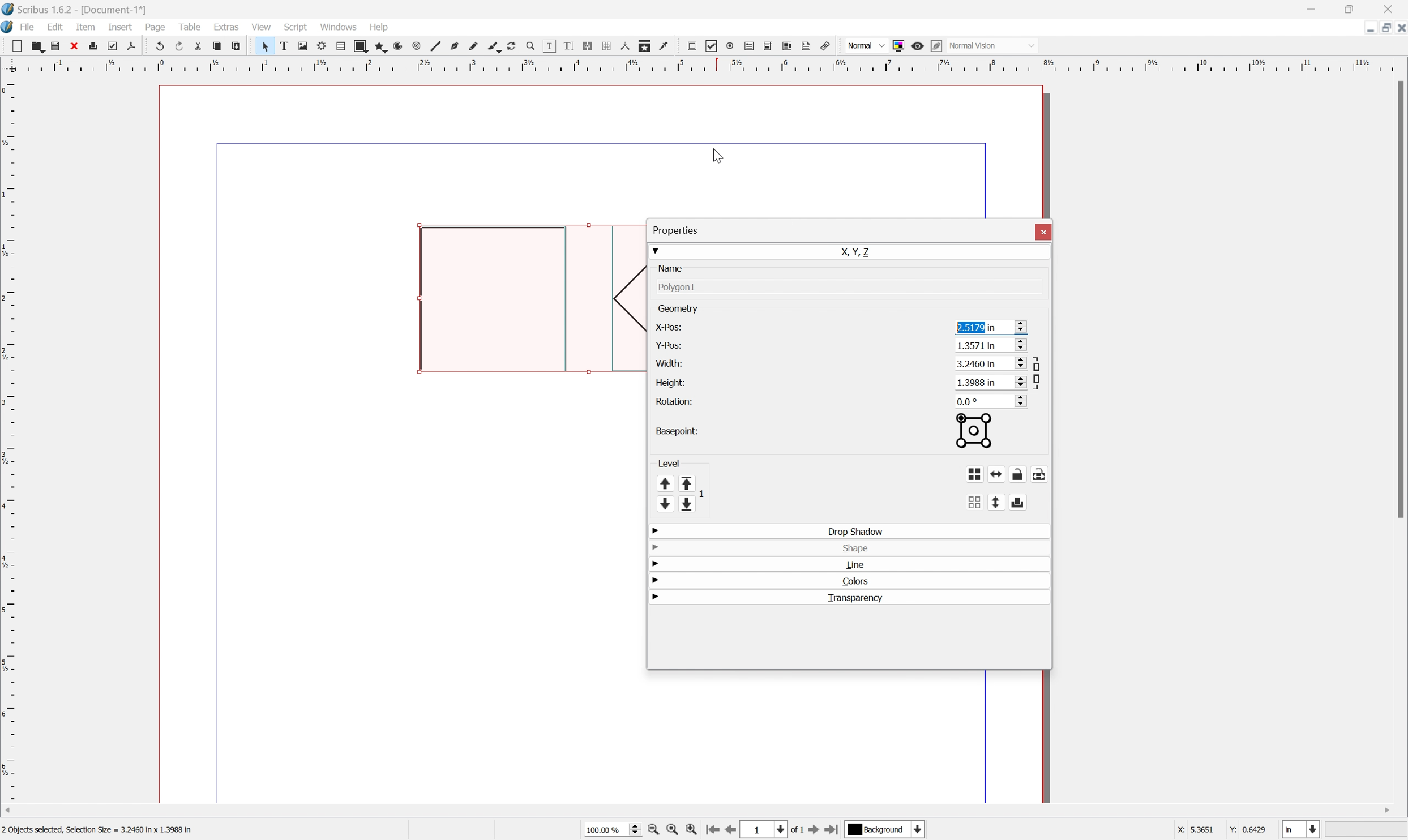 The height and width of the screenshot is (840, 1408). Describe the element at coordinates (609, 829) in the screenshot. I see `Select current zoom level` at that location.